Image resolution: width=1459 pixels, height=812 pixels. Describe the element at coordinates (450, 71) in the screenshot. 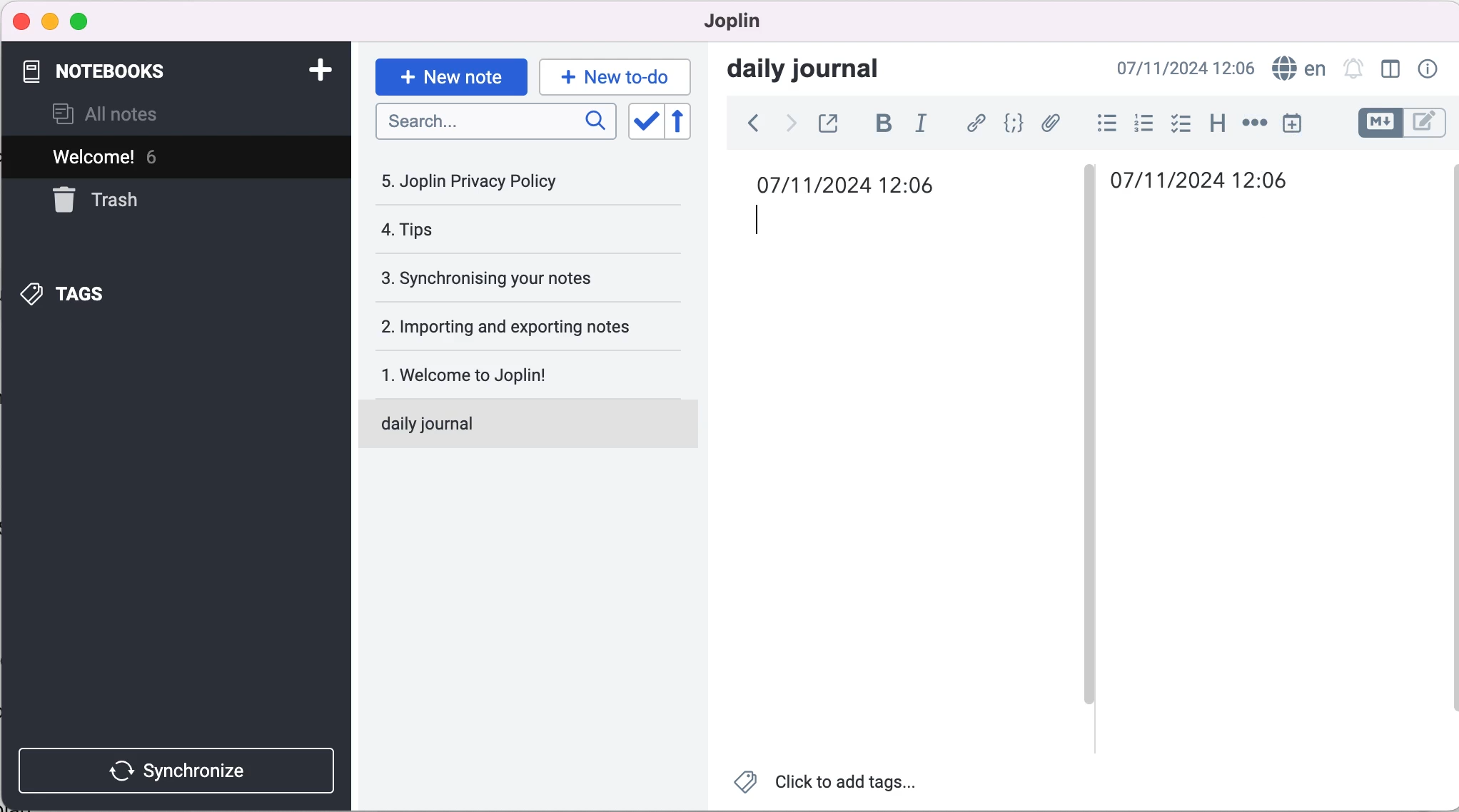

I see `new note` at that location.